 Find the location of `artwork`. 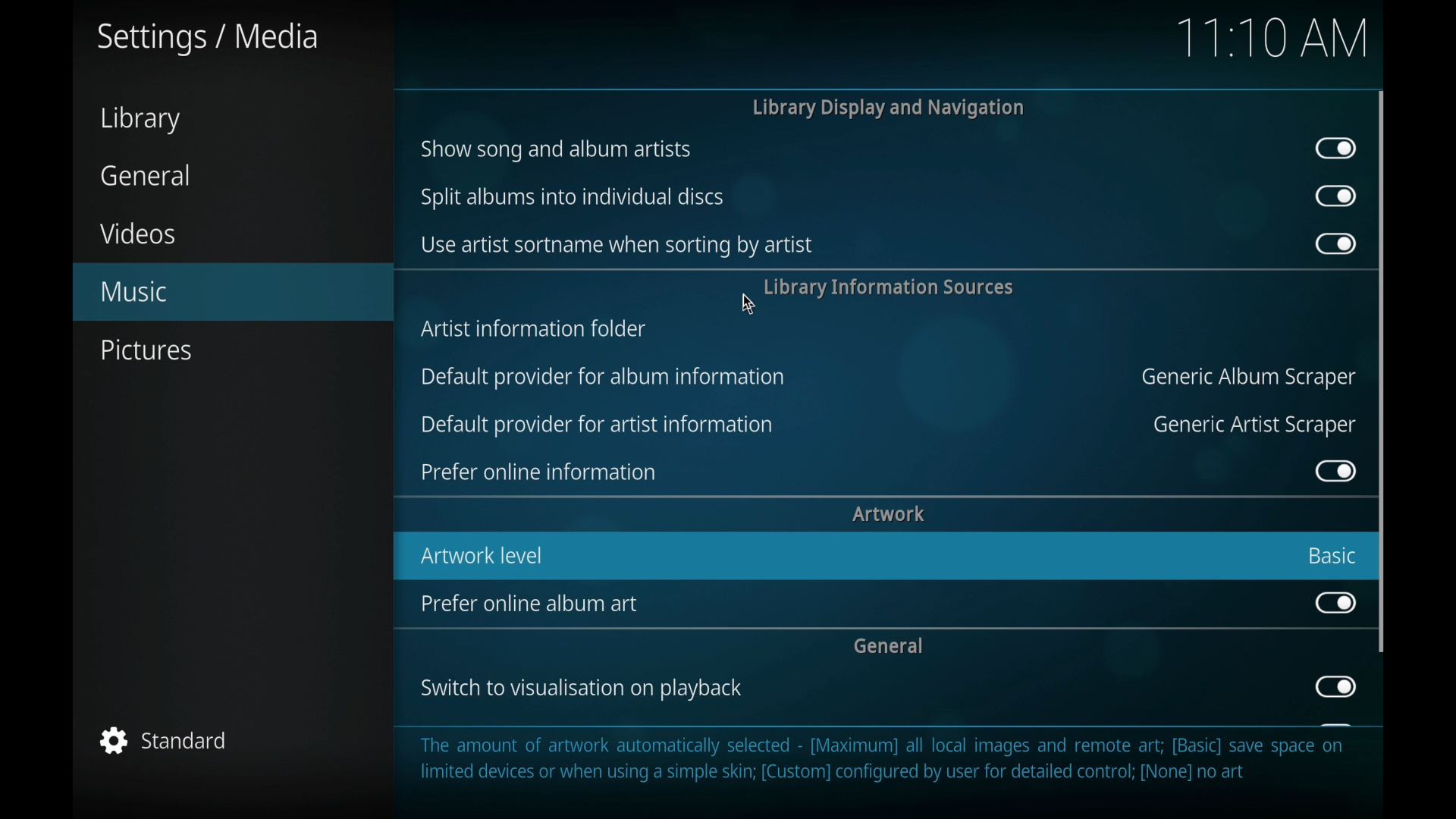

artwork is located at coordinates (889, 513).